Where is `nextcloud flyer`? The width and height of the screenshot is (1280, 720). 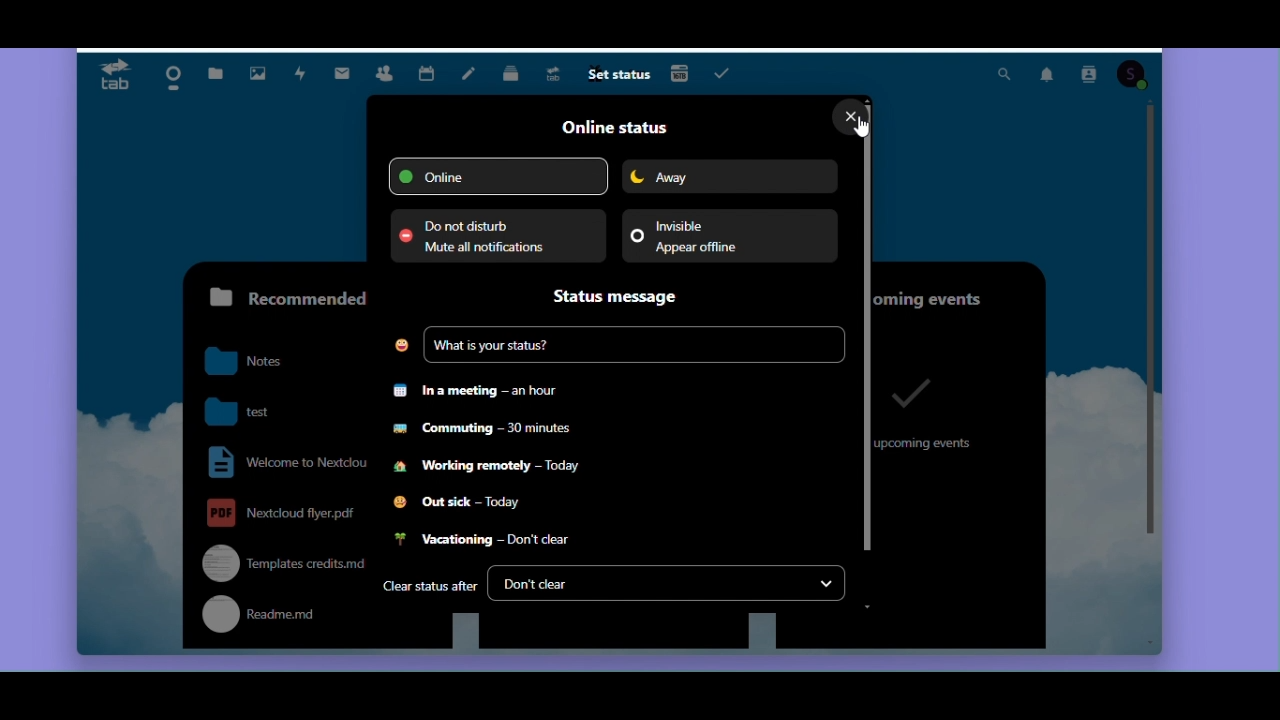 nextcloud flyer is located at coordinates (282, 512).